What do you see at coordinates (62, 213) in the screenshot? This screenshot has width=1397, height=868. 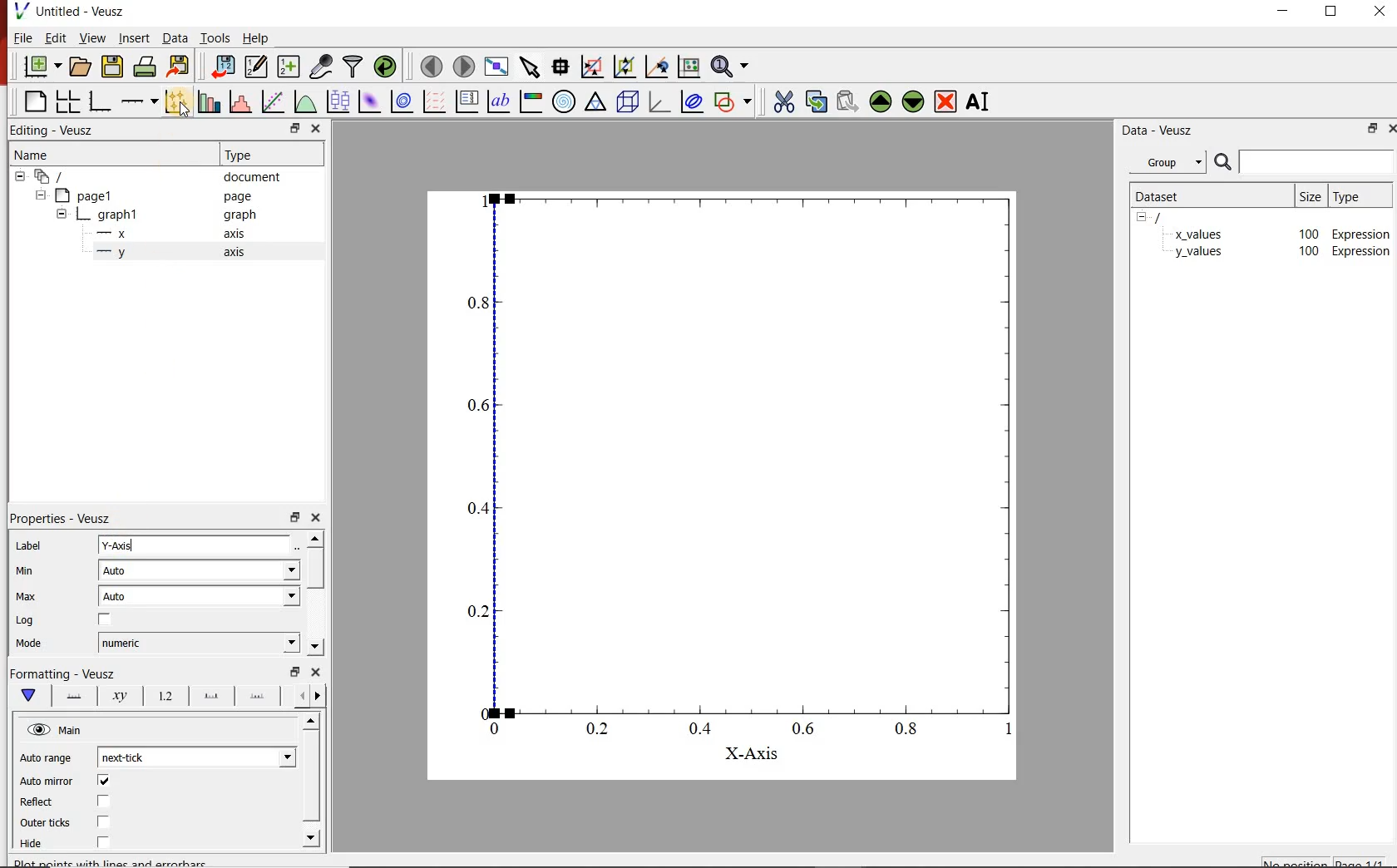 I see `hide` at bounding box center [62, 213].